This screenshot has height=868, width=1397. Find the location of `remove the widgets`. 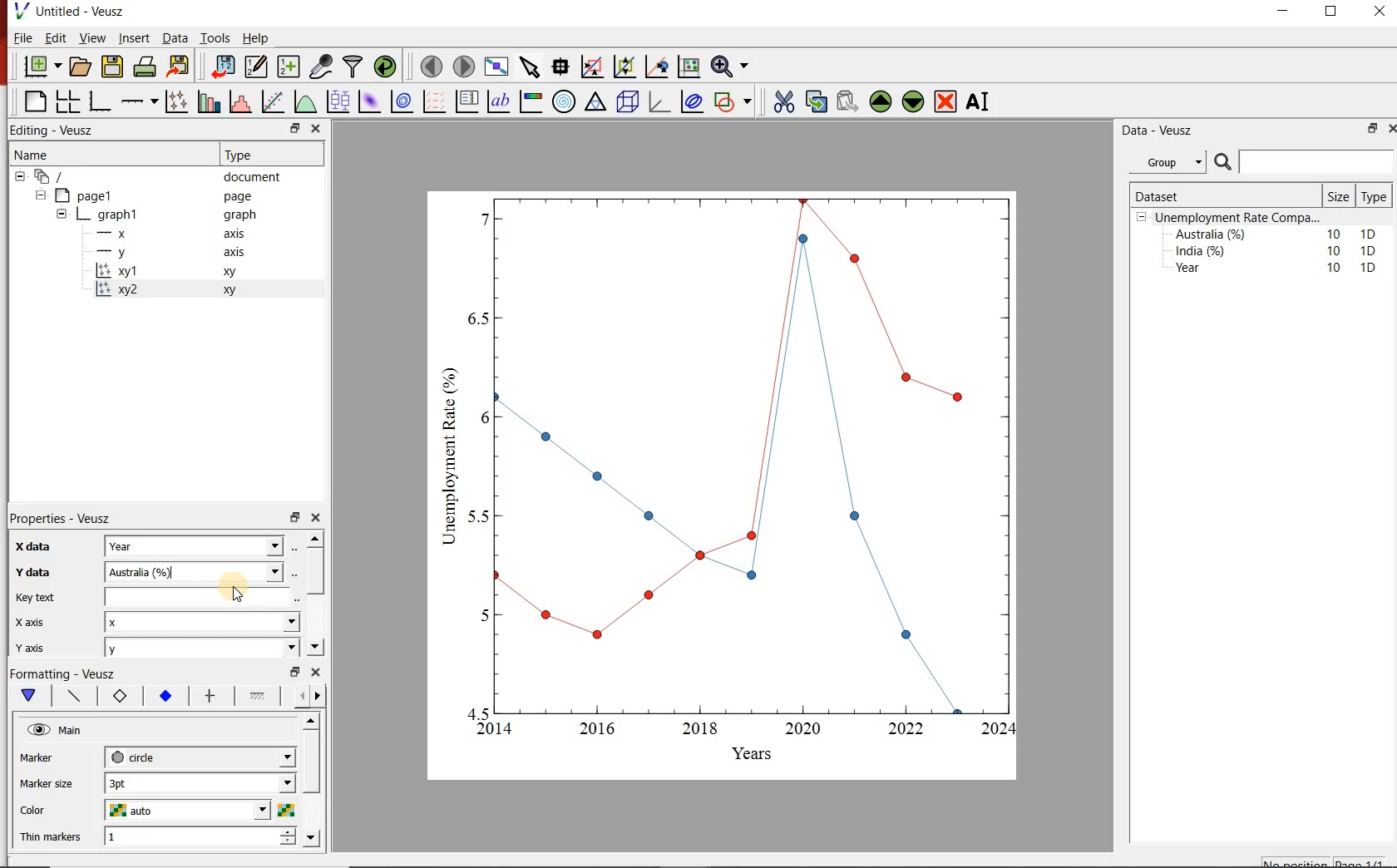

remove the widgets is located at coordinates (945, 101).